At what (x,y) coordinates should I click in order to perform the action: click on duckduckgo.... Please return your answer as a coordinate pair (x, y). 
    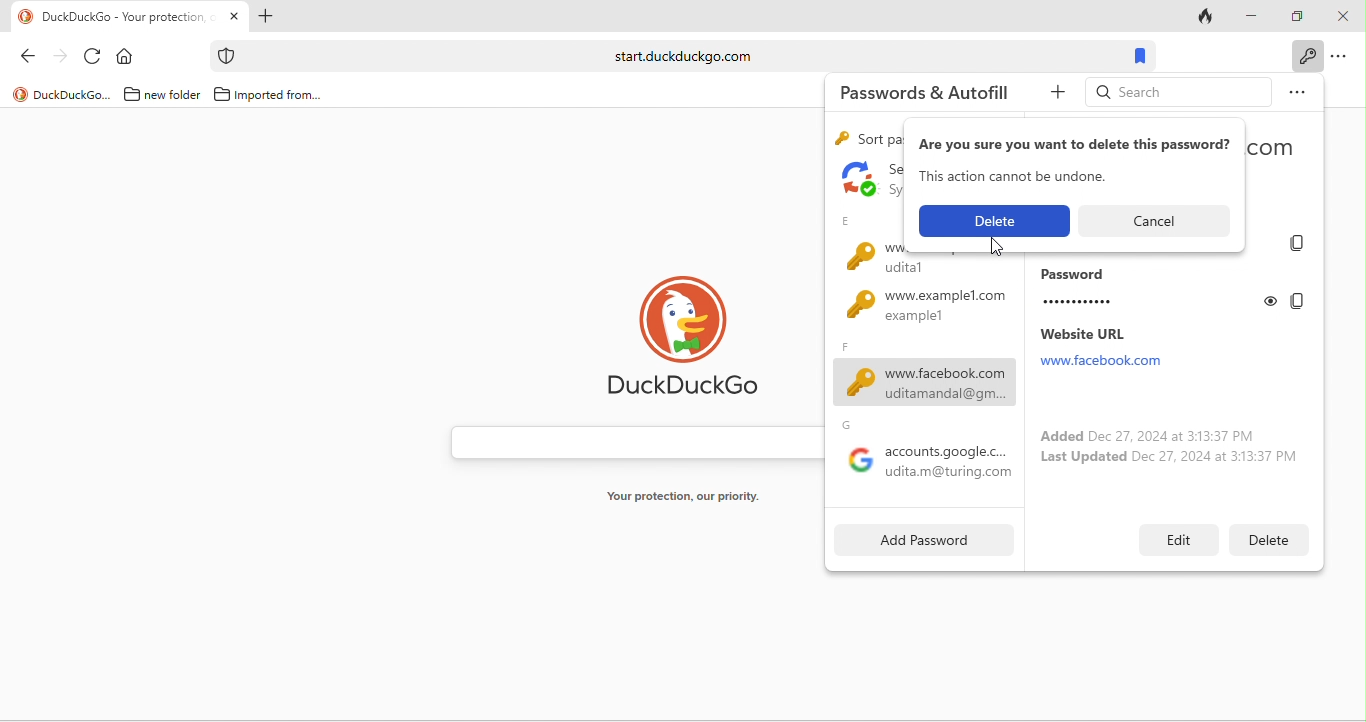
    Looking at the image, I should click on (62, 94).